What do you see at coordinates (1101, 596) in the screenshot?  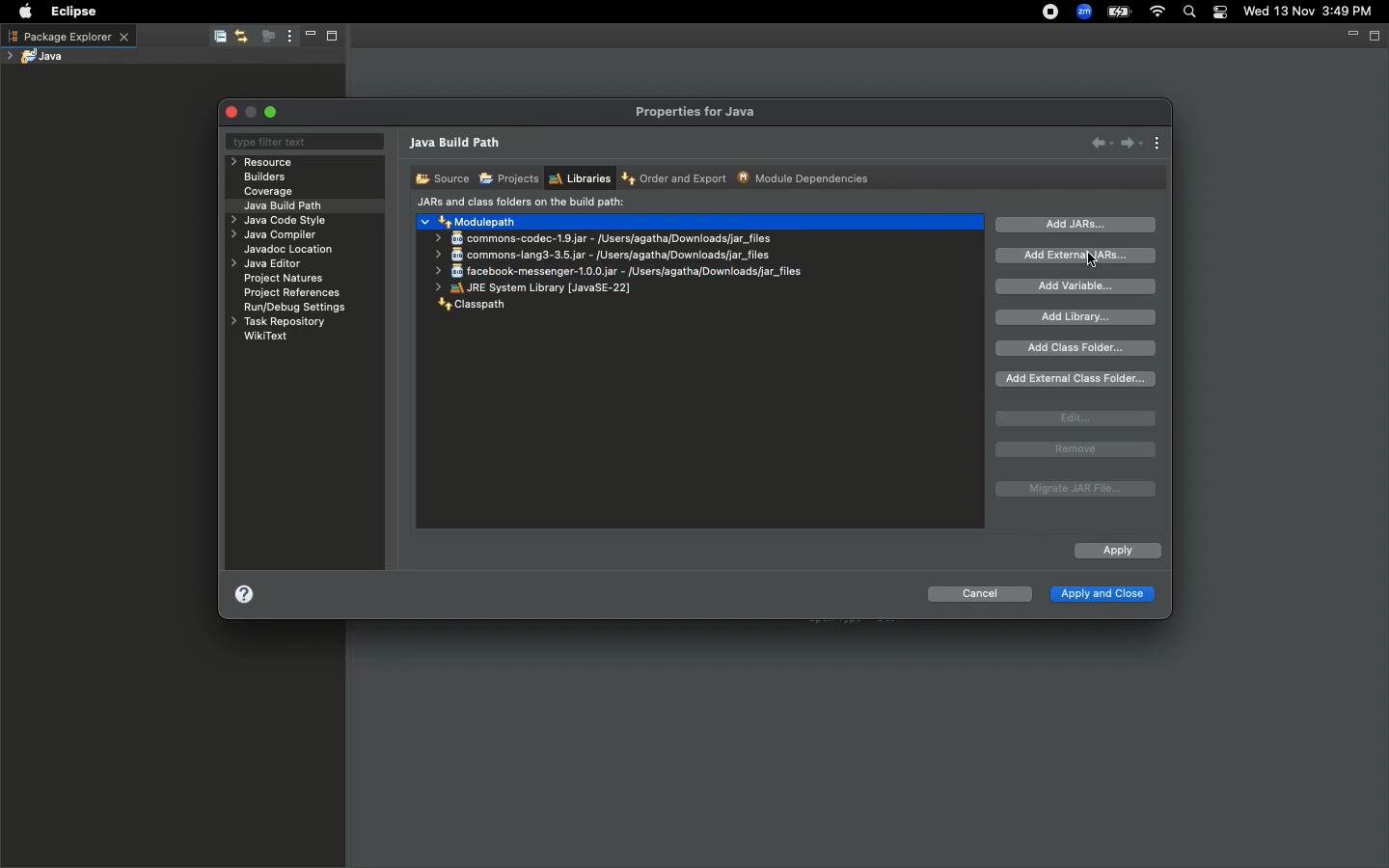 I see `Apply and close` at bounding box center [1101, 596].